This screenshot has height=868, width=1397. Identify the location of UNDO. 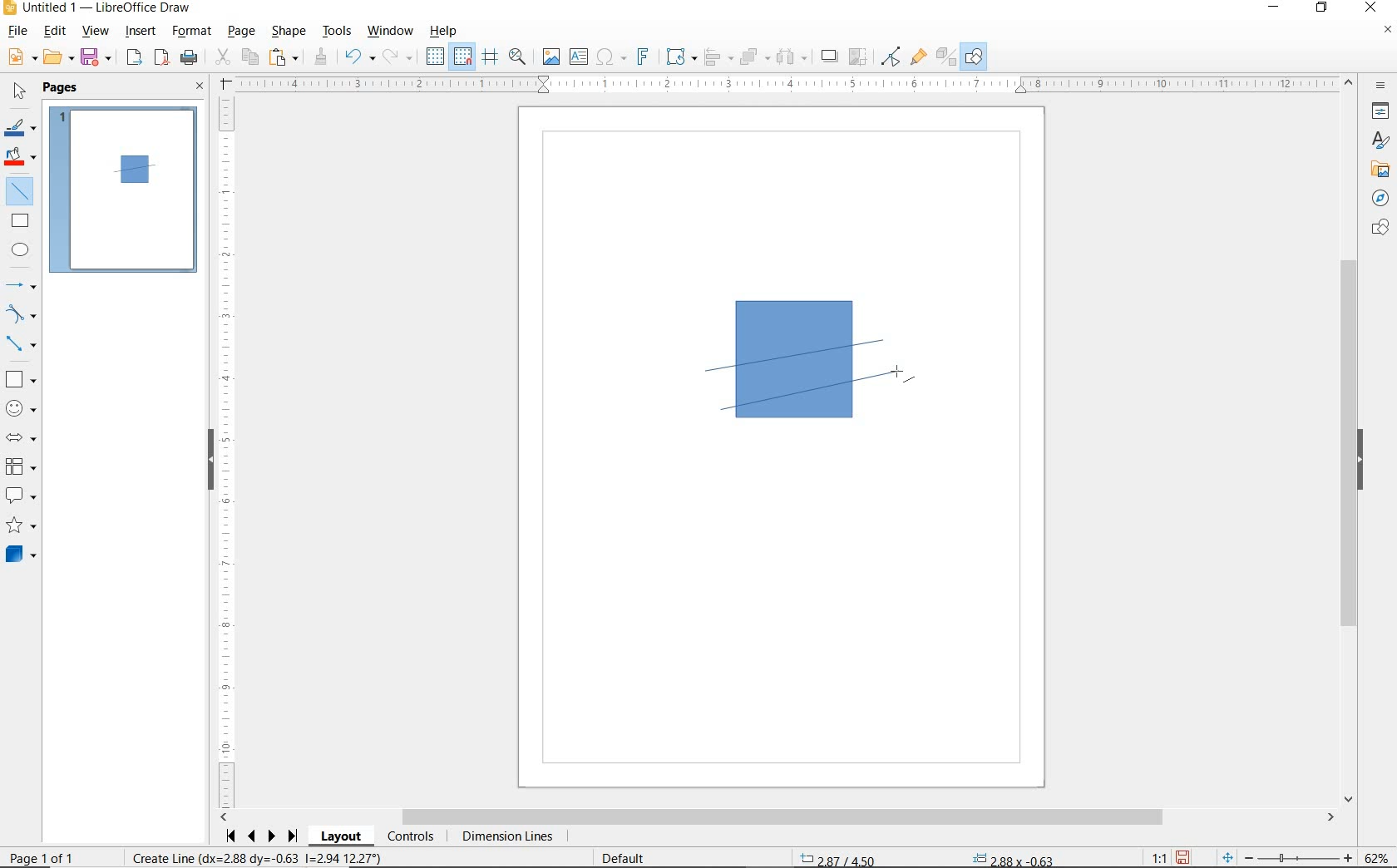
(360, 58).